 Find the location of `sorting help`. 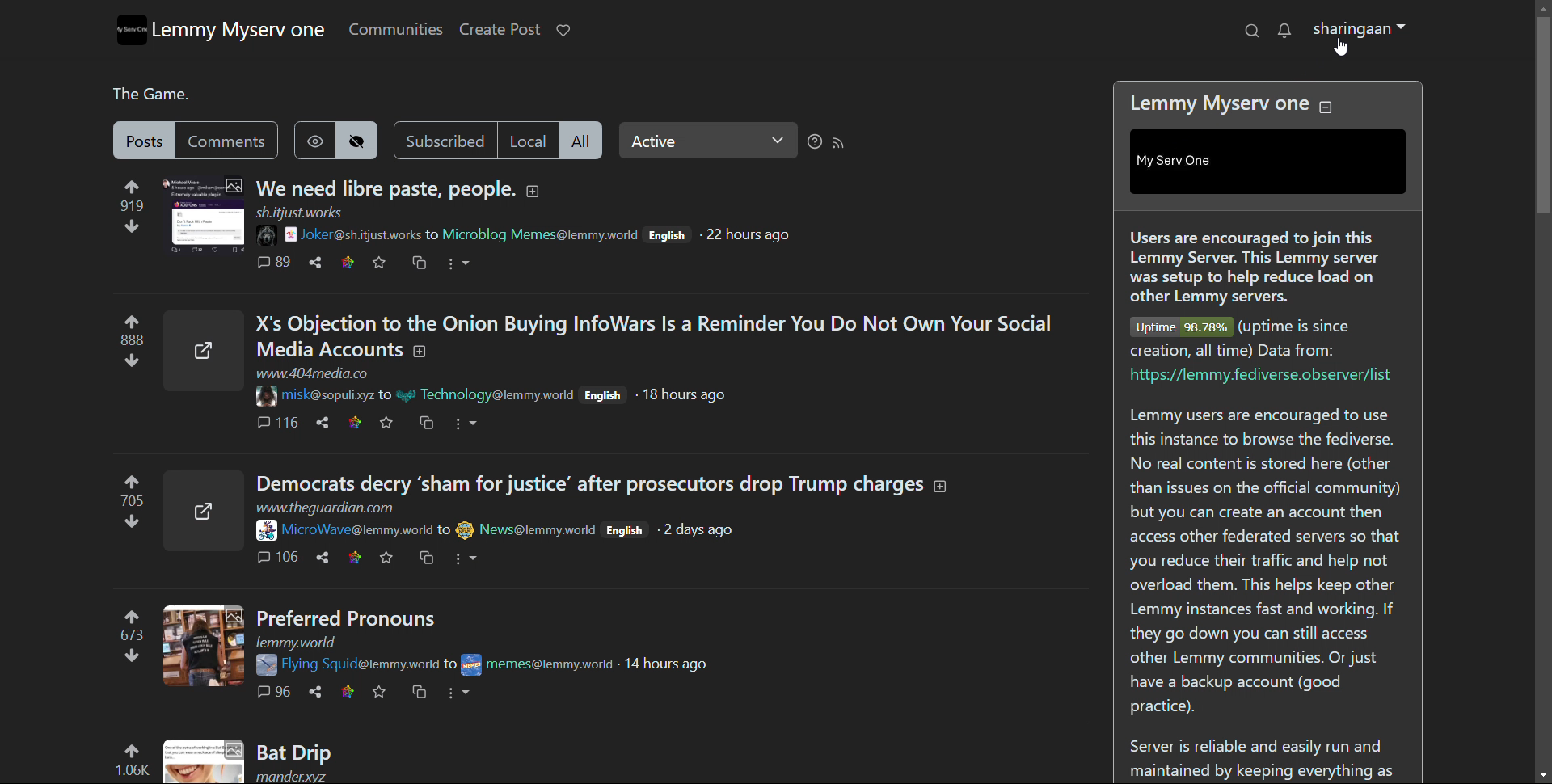

sorting help is located at coordinates (814, 142).